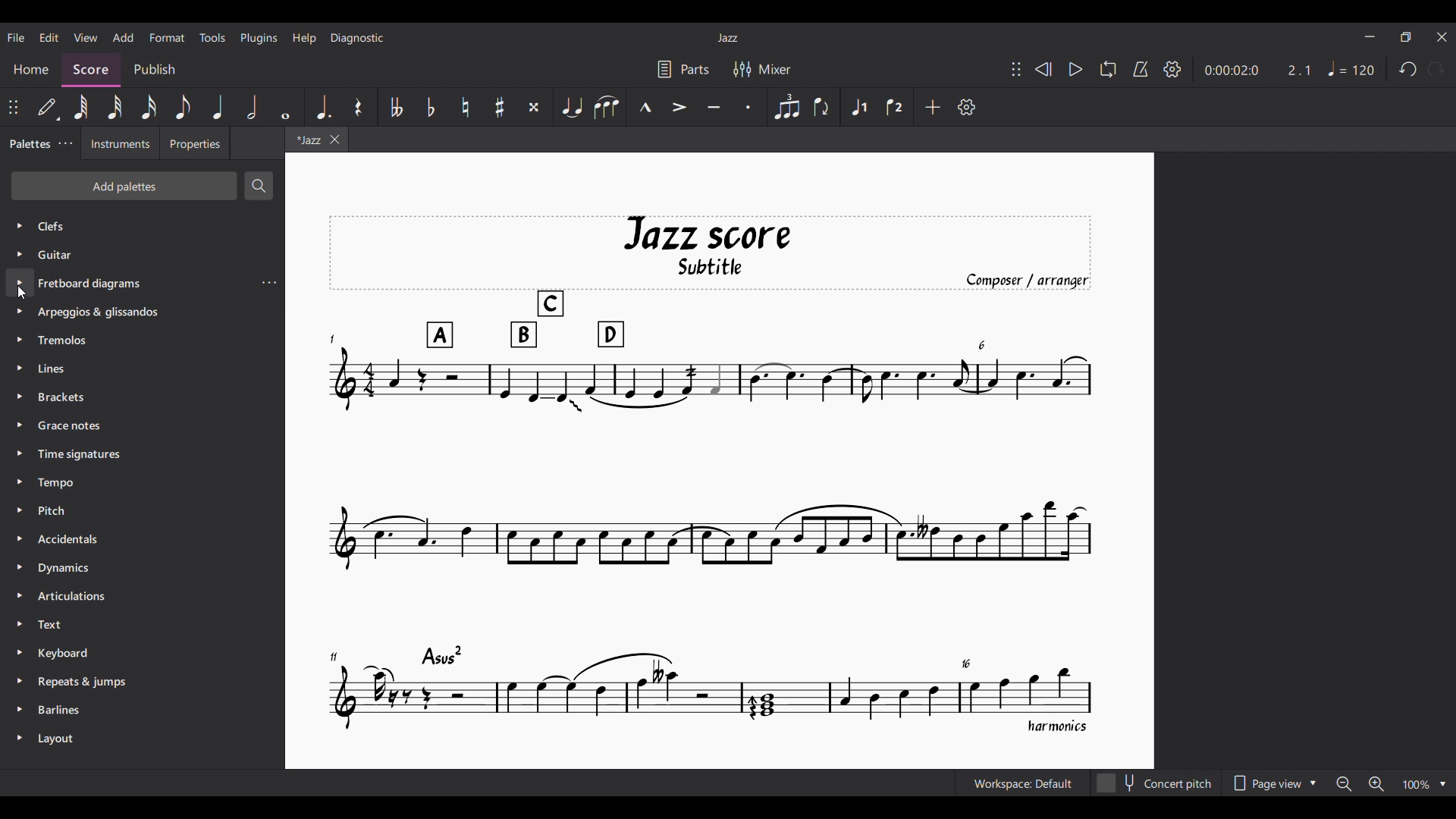  Describe the element at coordinates (679, 107) in the screenshot. I see `Accent` at that location.